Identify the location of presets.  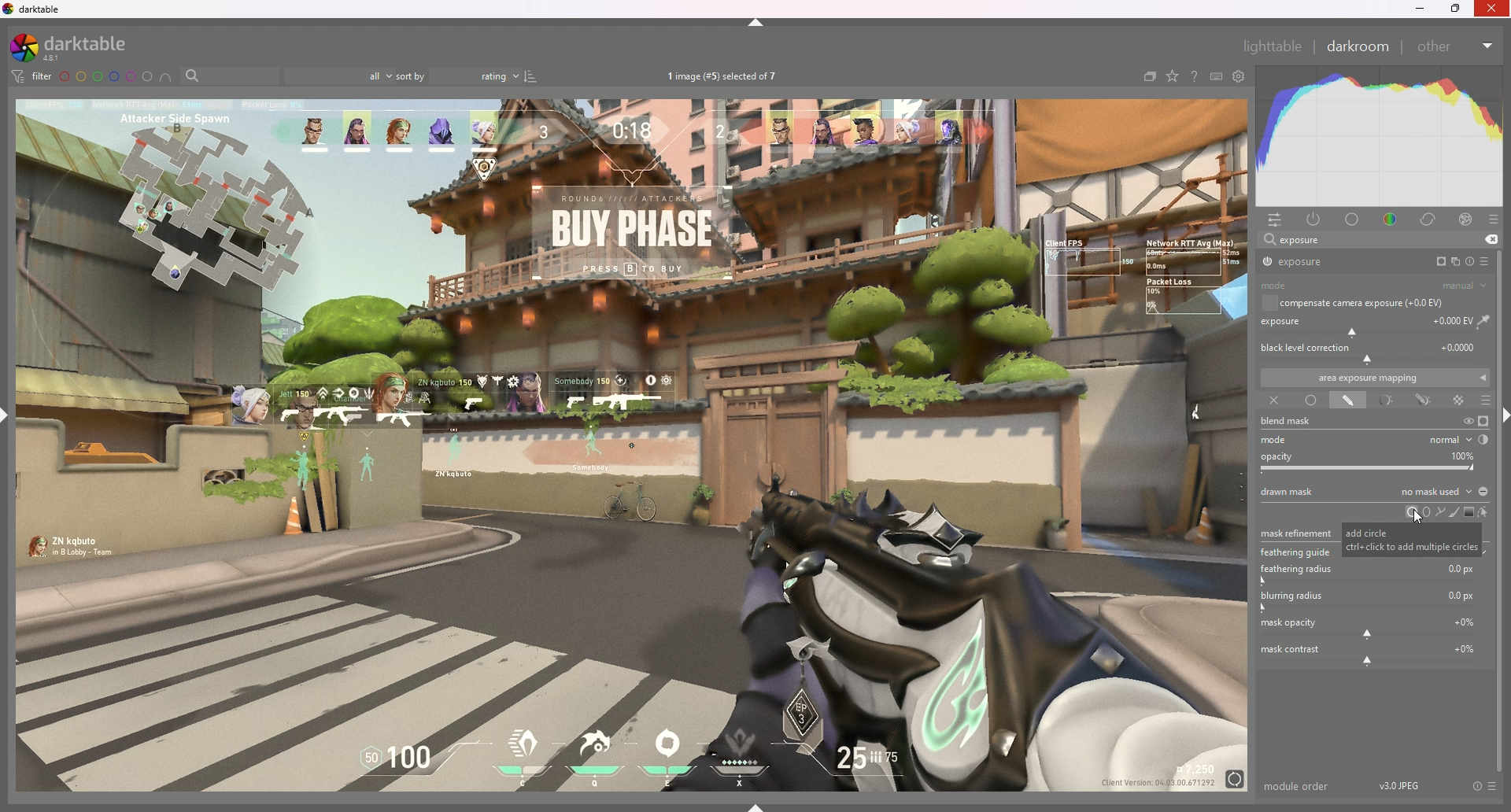
(1486, 261).